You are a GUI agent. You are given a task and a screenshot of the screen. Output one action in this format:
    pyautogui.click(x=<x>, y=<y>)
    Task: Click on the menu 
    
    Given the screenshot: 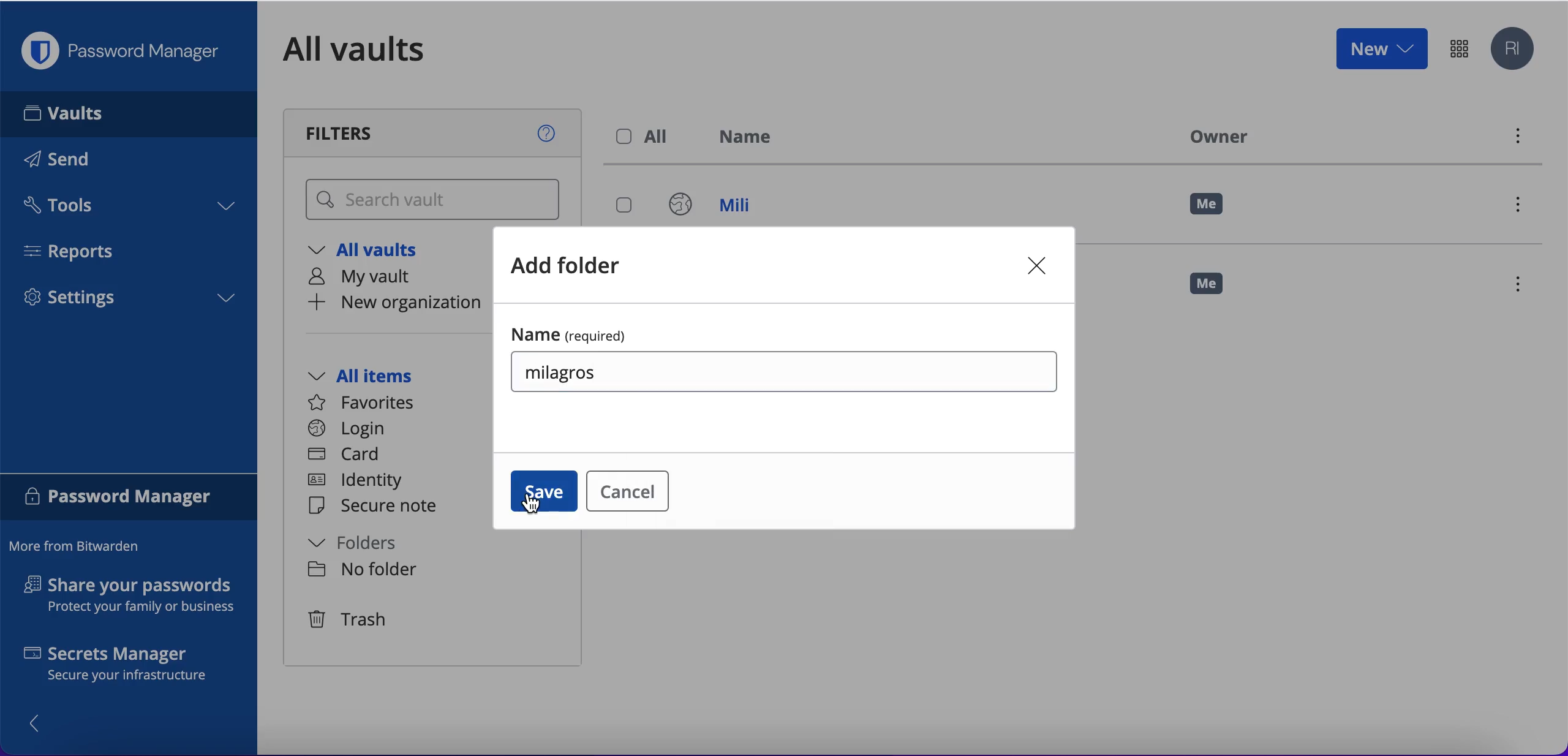 What is the action you would take?
    pyautogui.click(x=1523, y=208)
    